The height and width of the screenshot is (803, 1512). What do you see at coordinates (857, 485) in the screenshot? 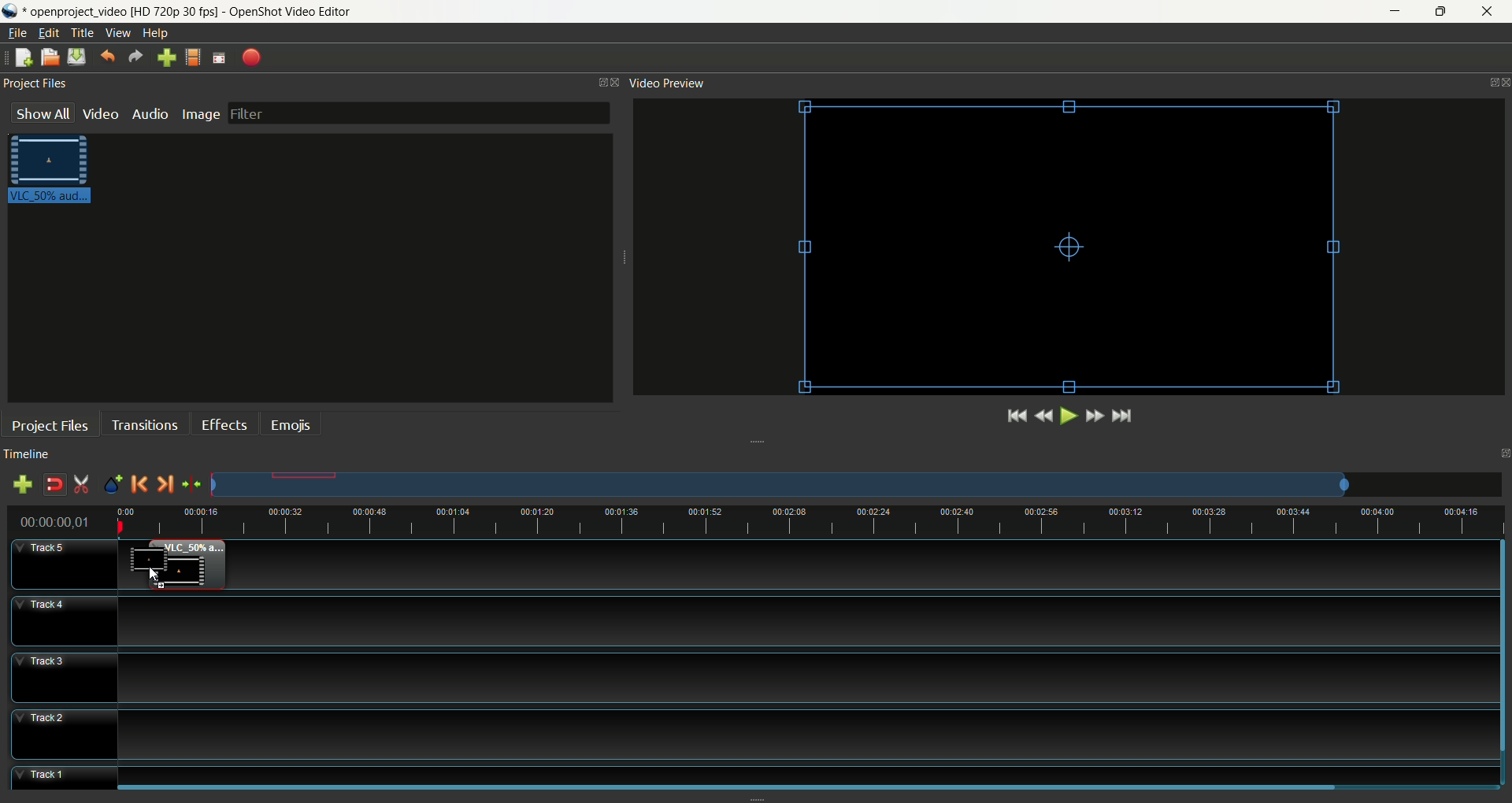
I see `zoom factor` at bounding box center [857, 485].